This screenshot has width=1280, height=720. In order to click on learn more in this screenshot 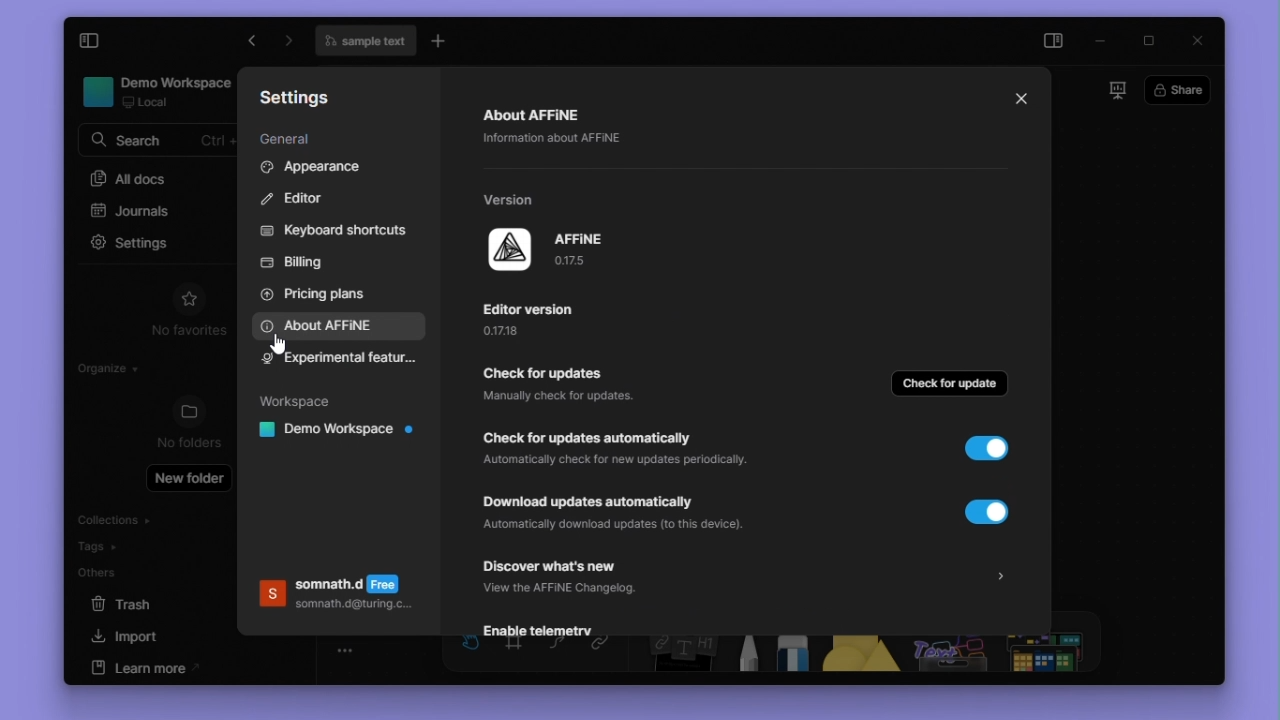, I will do `click(145, 668)`.